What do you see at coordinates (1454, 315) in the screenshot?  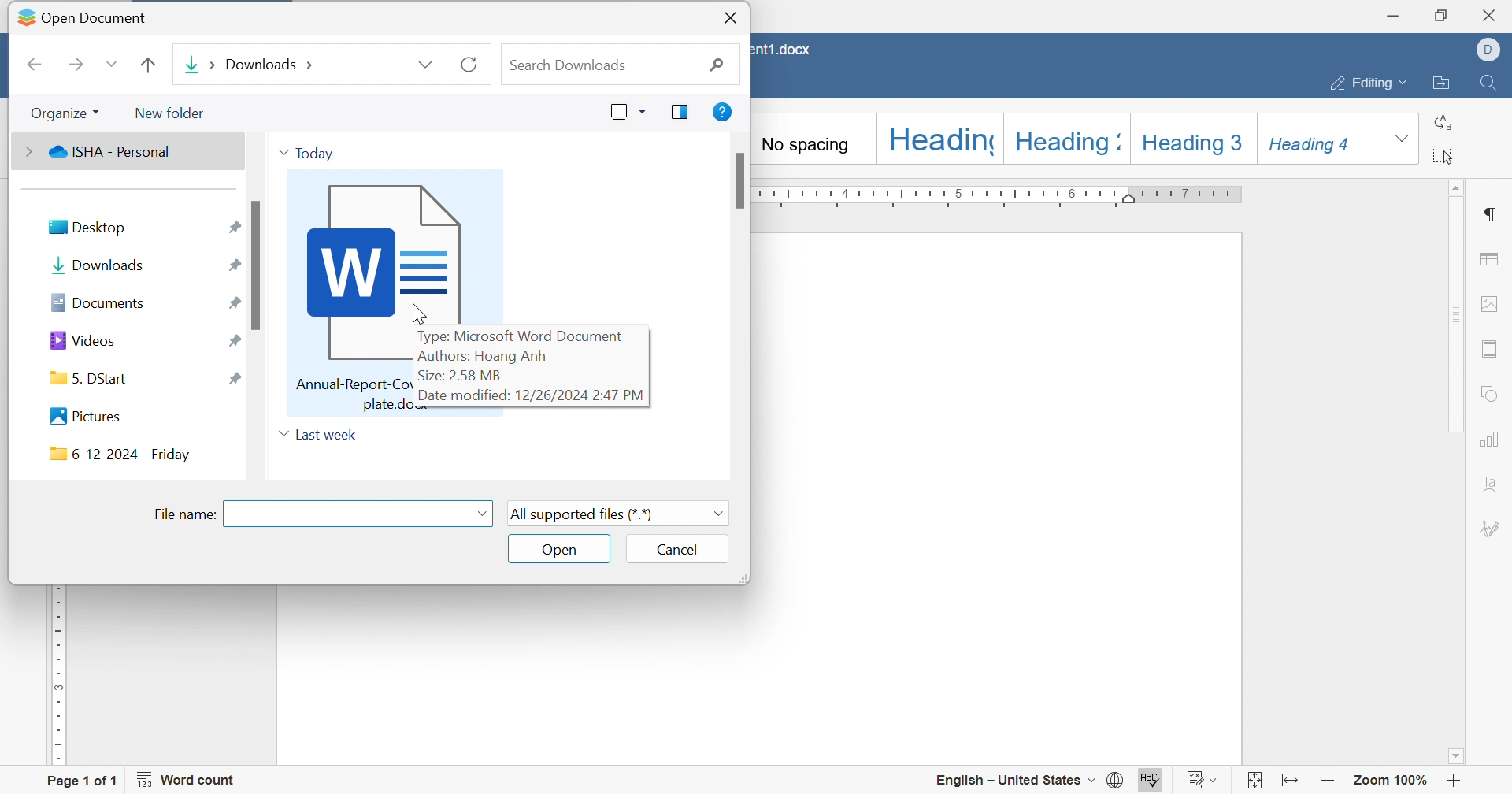 I see `scroll bar` at bounding box center [1454, 315].